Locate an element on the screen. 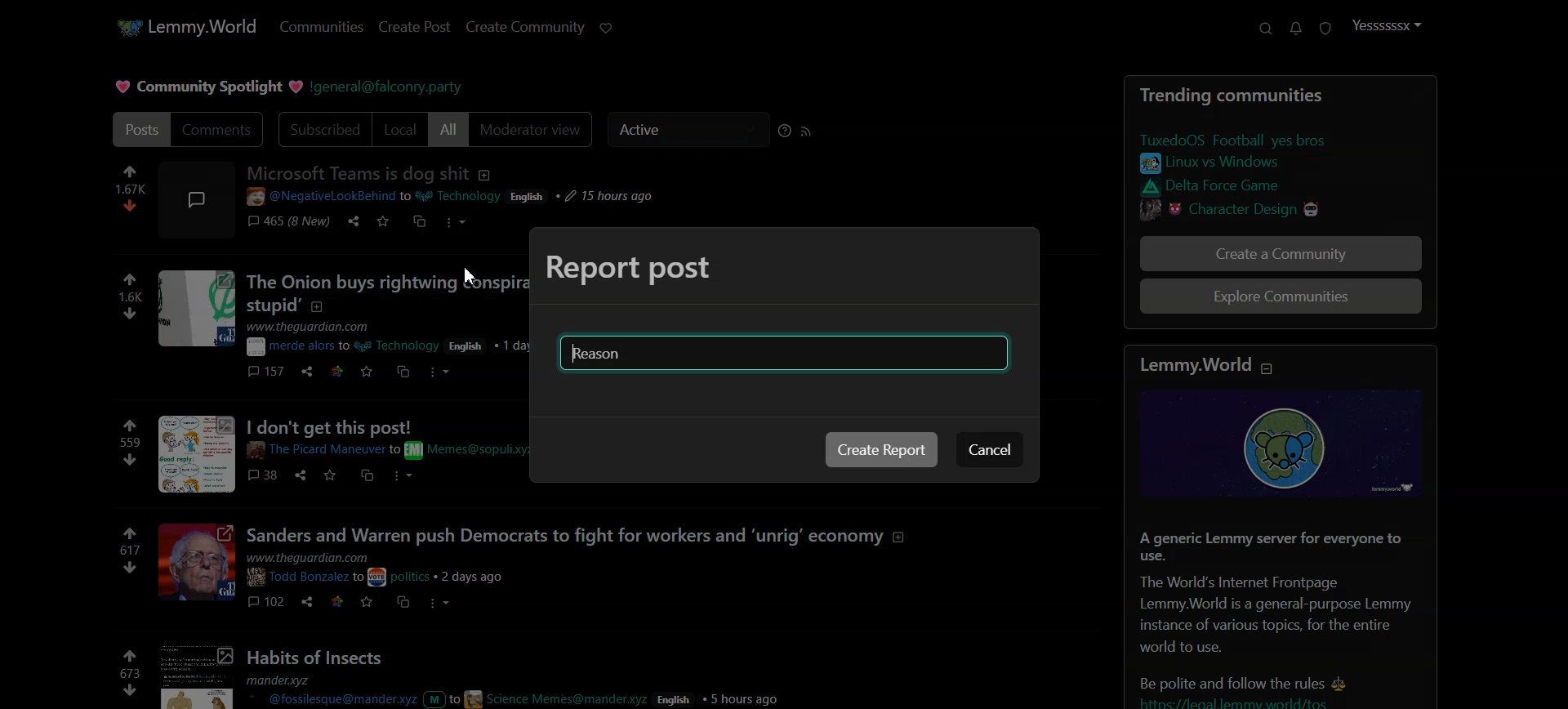 The image size is (1568, 709). link is located at coordinates (1253, 140).